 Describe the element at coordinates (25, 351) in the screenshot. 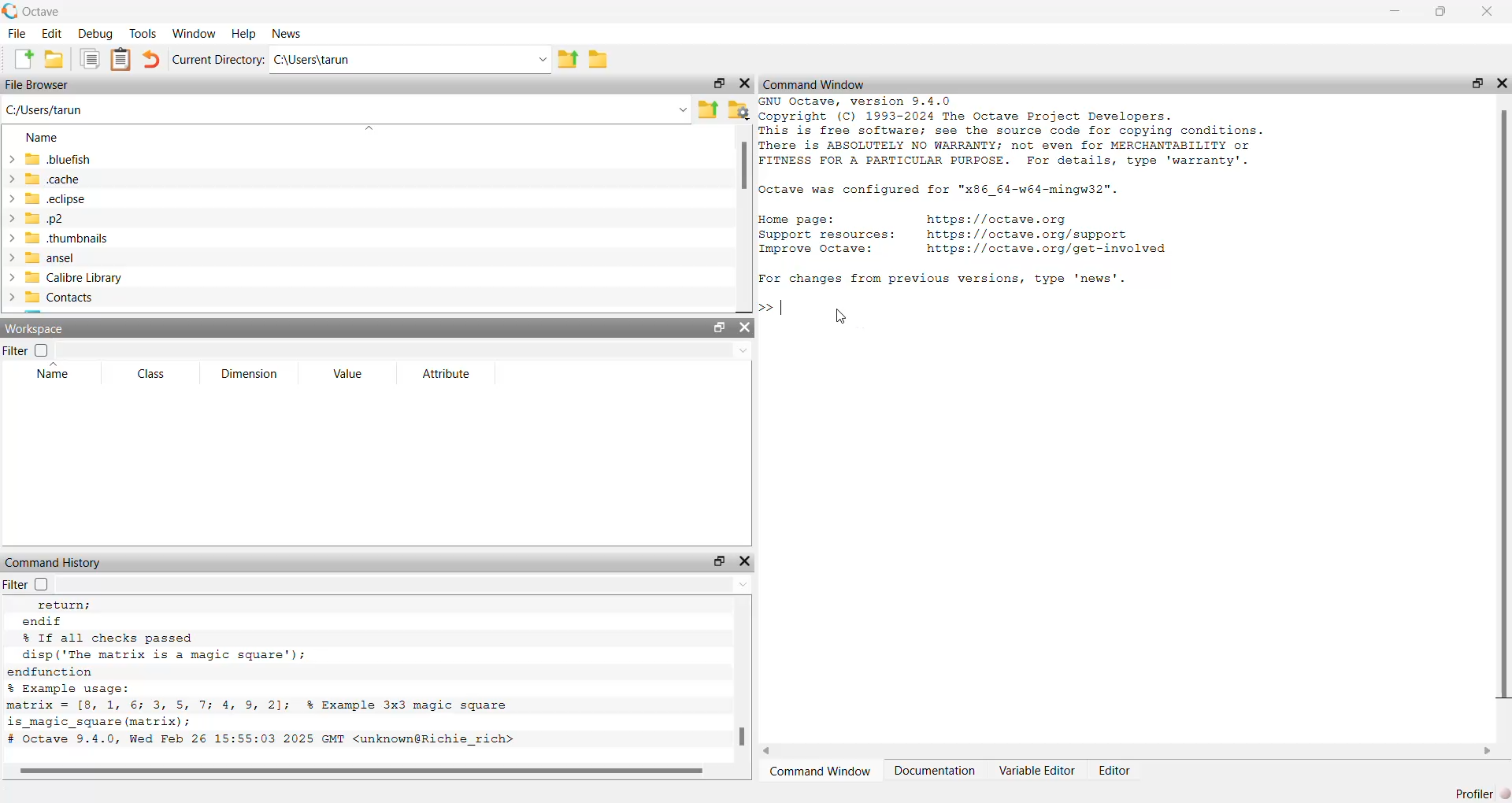

I see `Filter` at that location.